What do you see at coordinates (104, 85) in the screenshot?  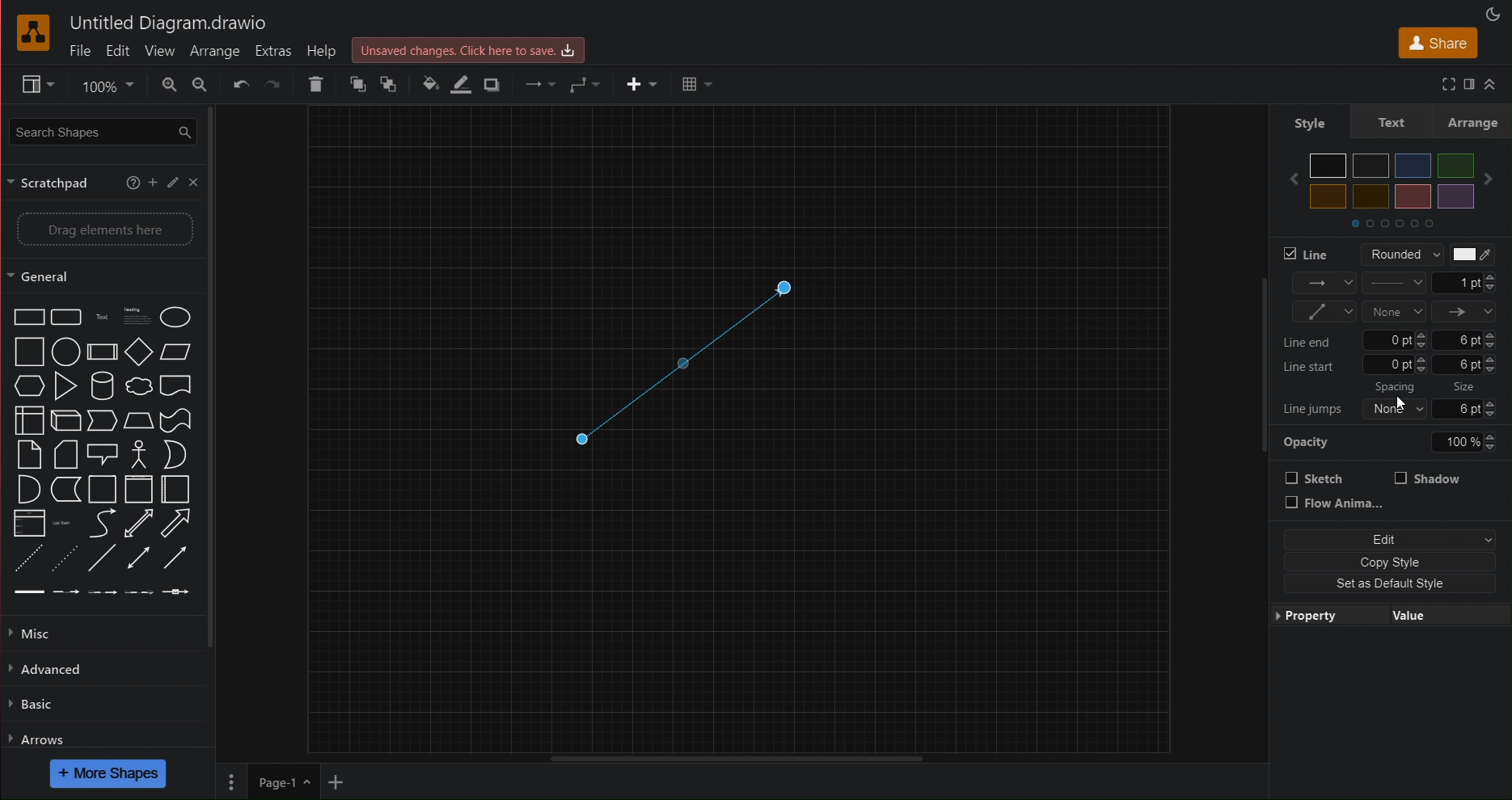 I see `Zoom` at bounding box center [104, 85].